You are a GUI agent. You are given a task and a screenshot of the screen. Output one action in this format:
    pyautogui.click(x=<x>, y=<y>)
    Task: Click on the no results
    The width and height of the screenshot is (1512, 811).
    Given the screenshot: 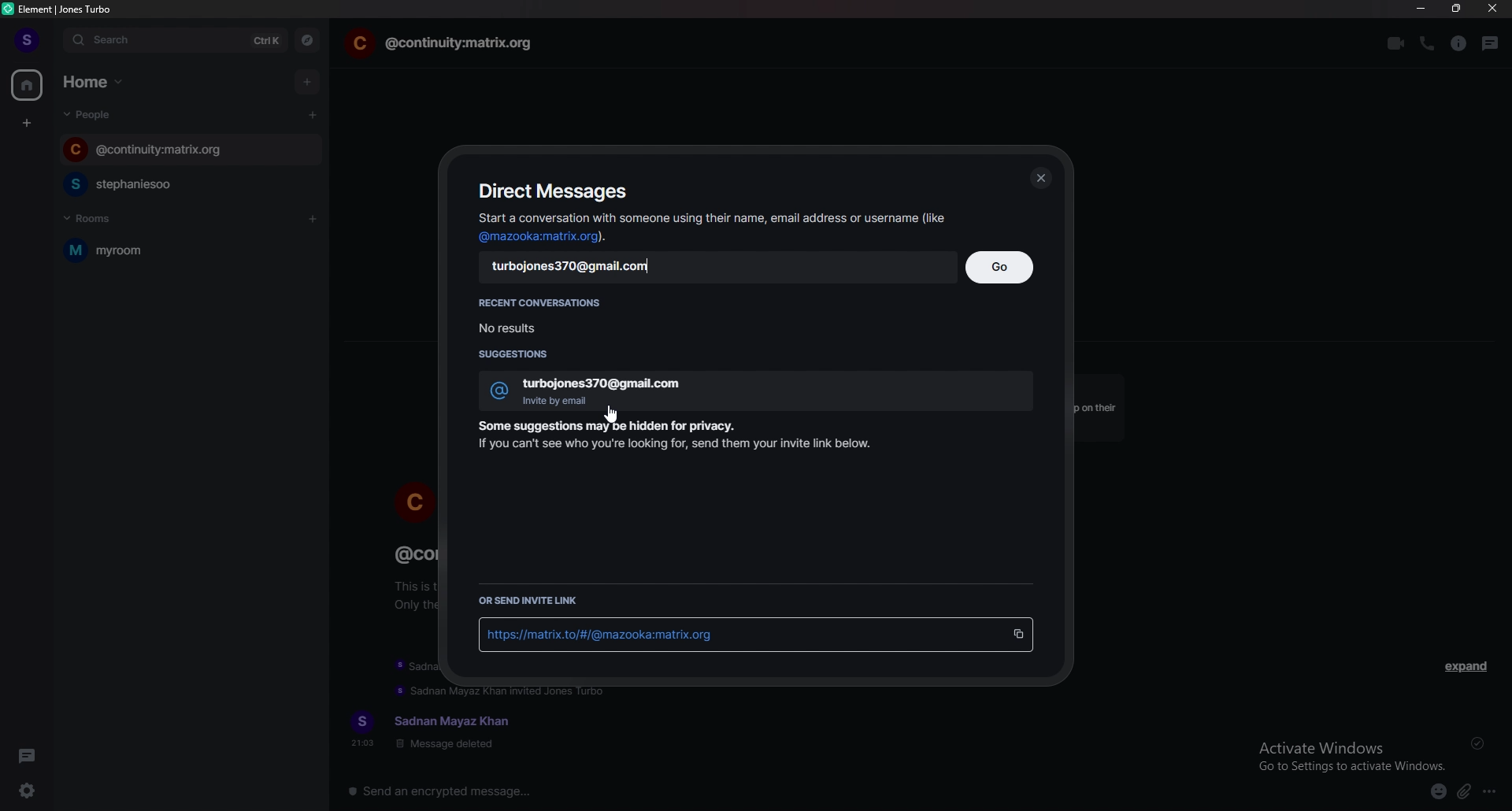 What is the action you would take?
    pyautogui.click(x=535, y=326)
    